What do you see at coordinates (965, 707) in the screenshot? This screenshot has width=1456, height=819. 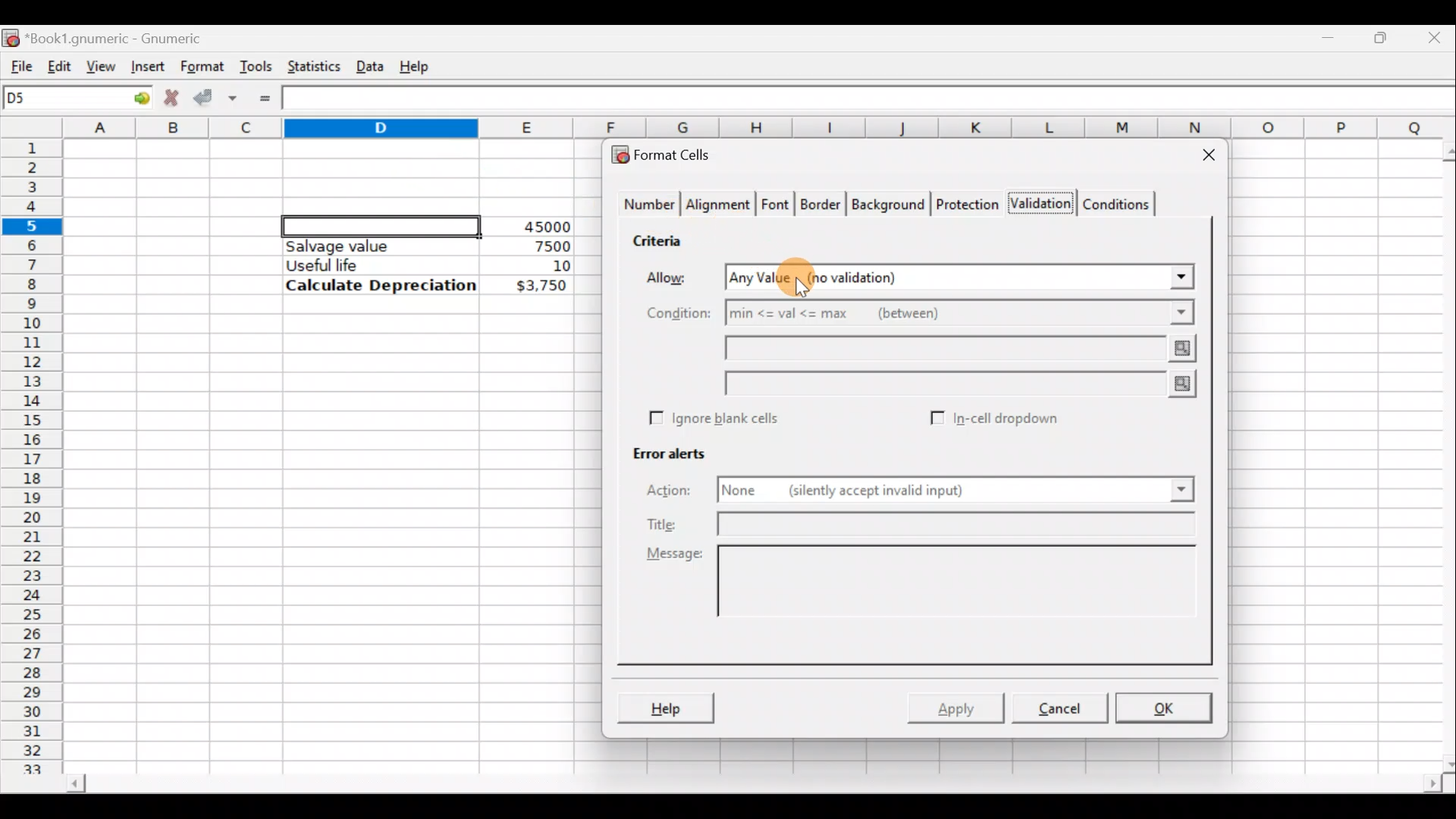 I see `Apply` at bounding box center [965, 707].